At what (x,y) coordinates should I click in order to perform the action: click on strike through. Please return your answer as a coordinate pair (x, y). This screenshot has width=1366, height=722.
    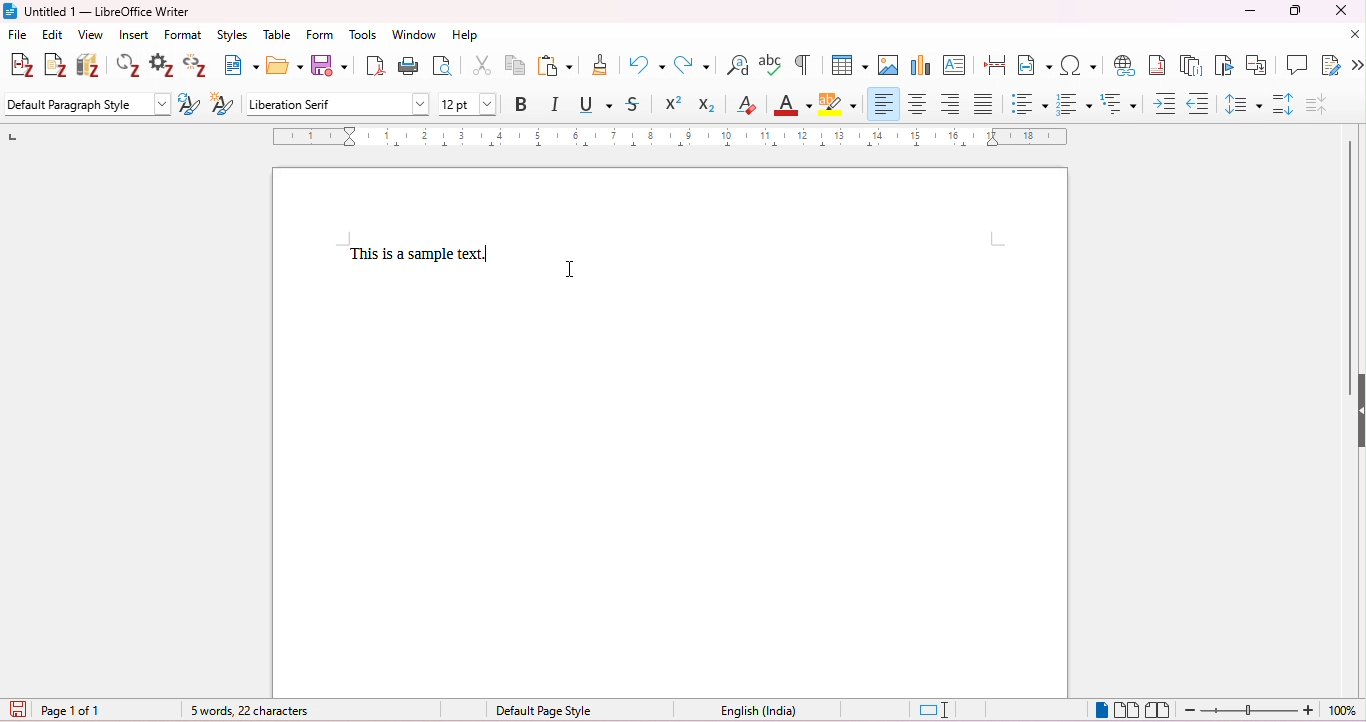
    Looking at the image, I should click on (633, 104).